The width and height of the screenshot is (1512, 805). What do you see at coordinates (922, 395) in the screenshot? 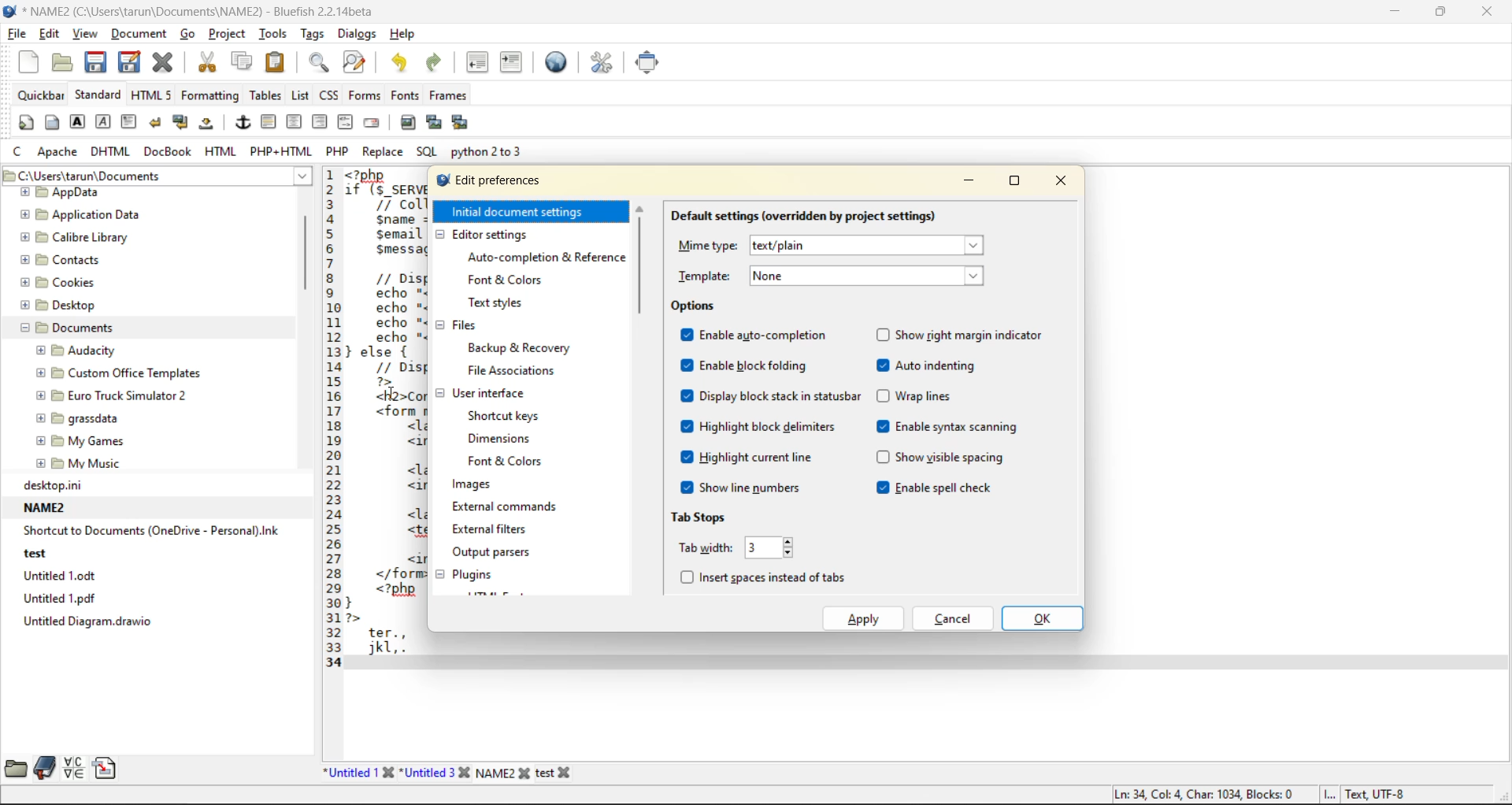
I see `wrap lines` at bounding box center [922, 395].